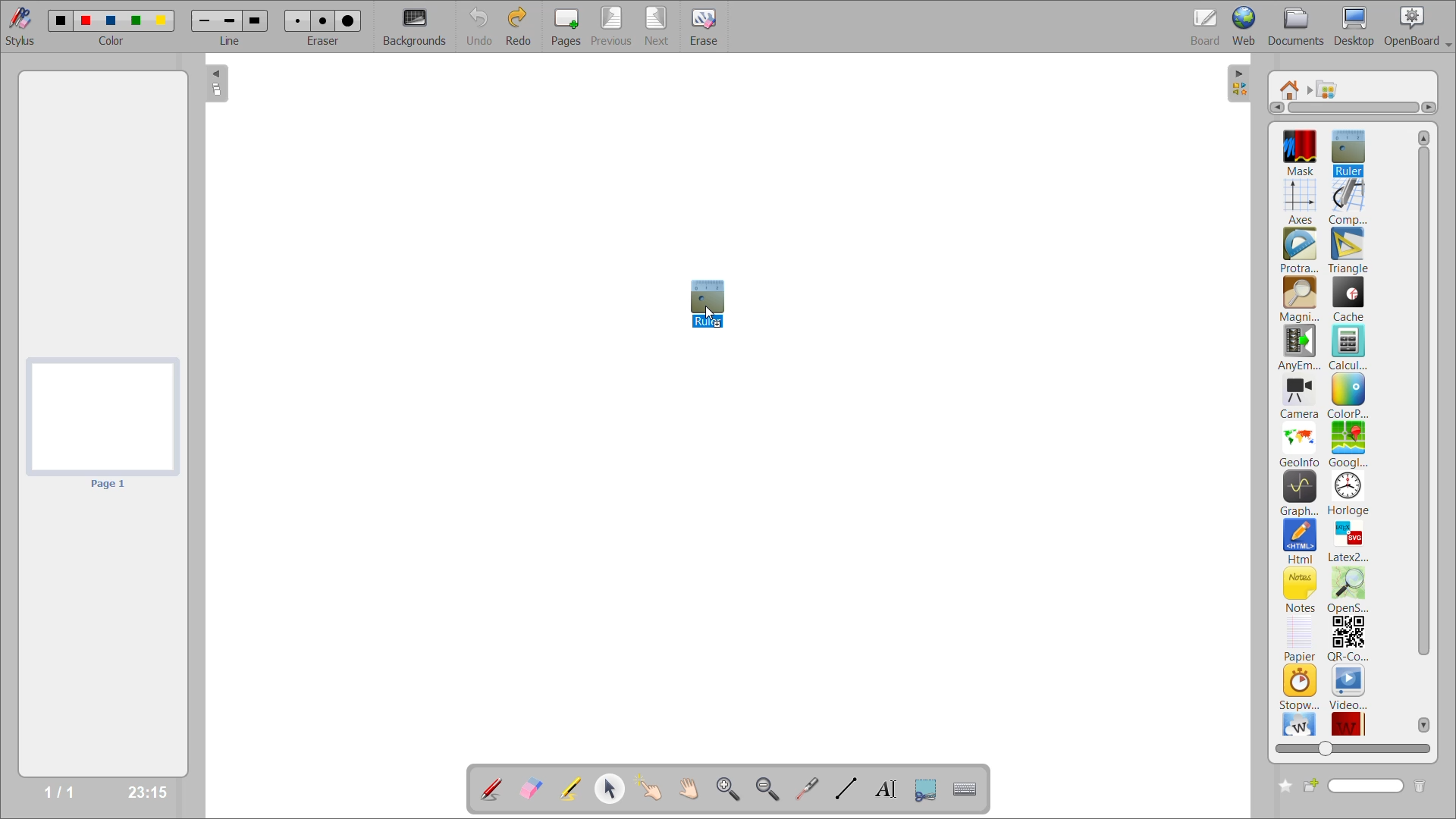  Describe the element at coordinates (533, 789) in the screenshot. I see `erase annotation` at that location.